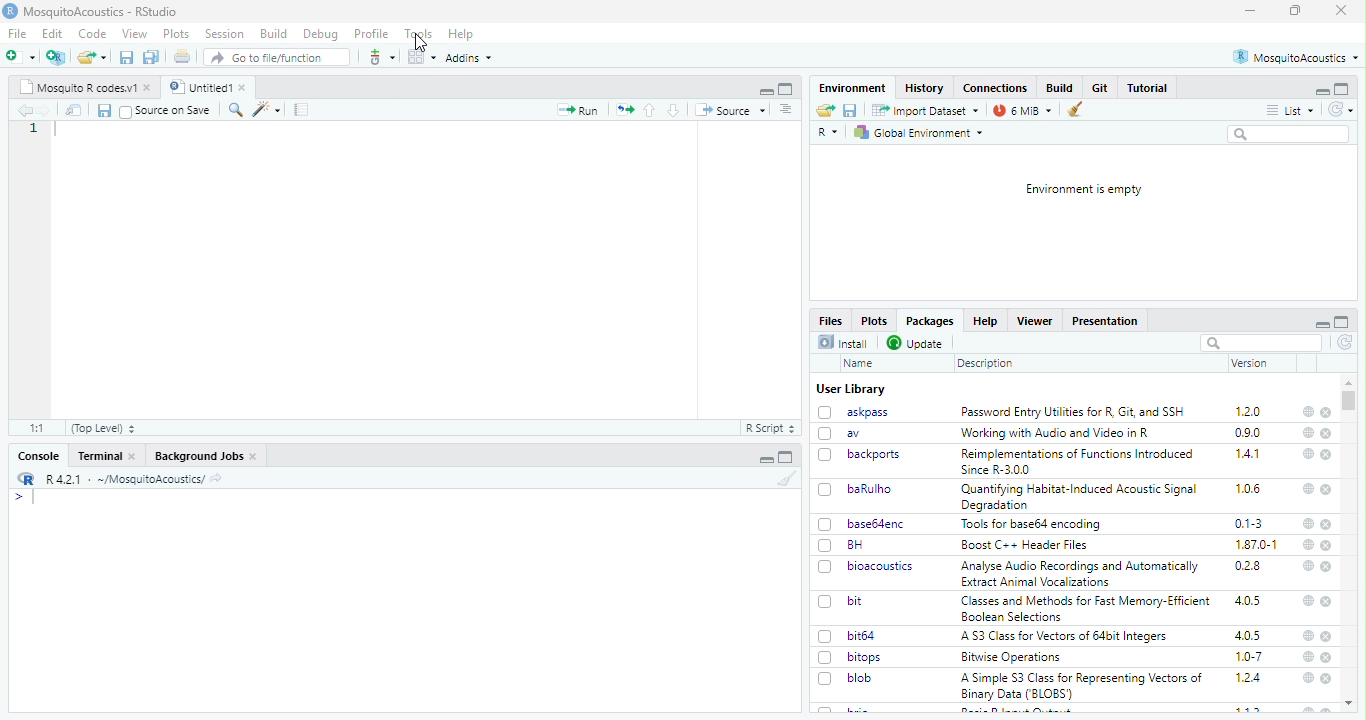  Describe the element at coordinates (1081, 498) in the screenshot. I see `Quantifying Habitat-Induced Acoustic Signal
Degradation` at that location.